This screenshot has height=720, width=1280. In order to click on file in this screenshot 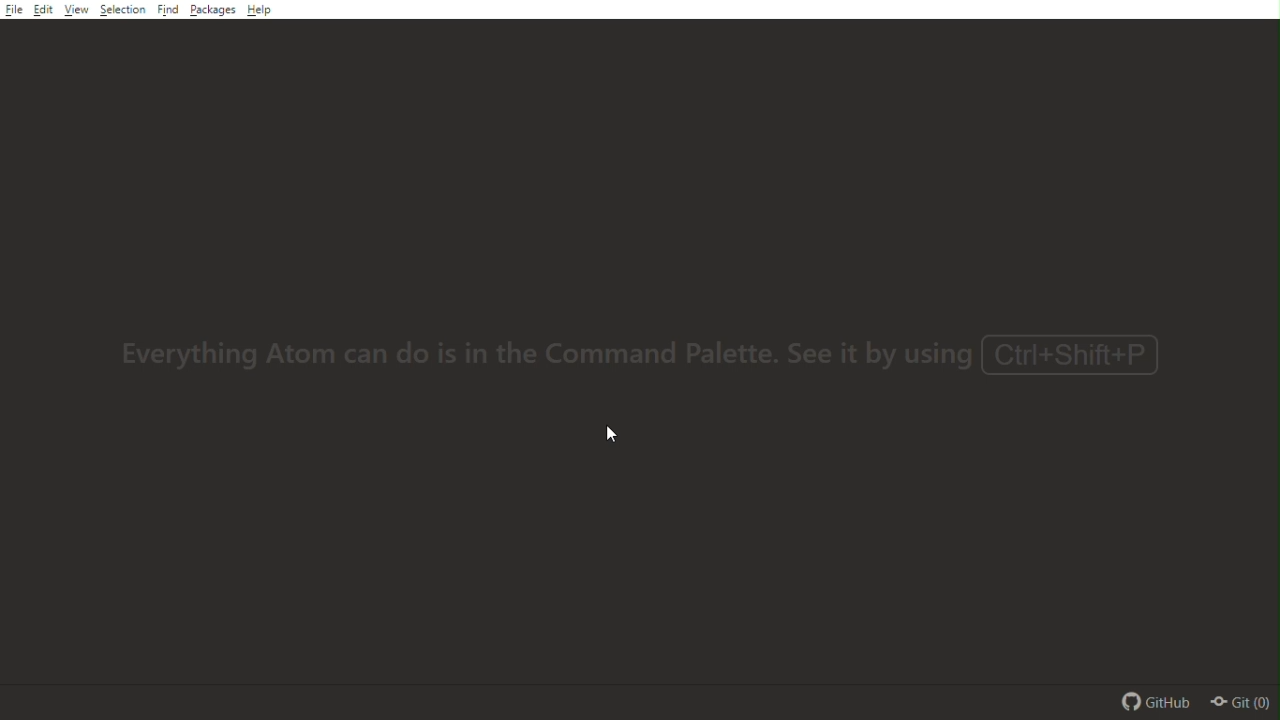, I will do `click(13, 12)`.